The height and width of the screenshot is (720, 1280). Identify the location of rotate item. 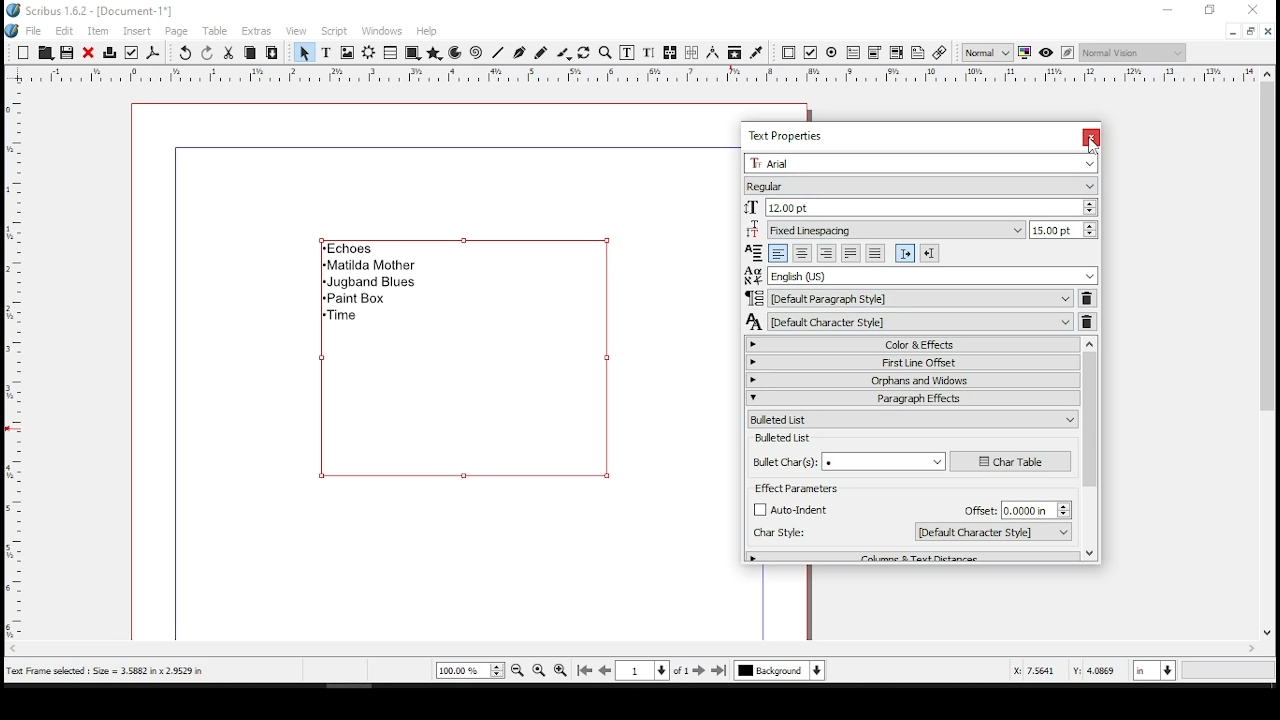
(585, 52).